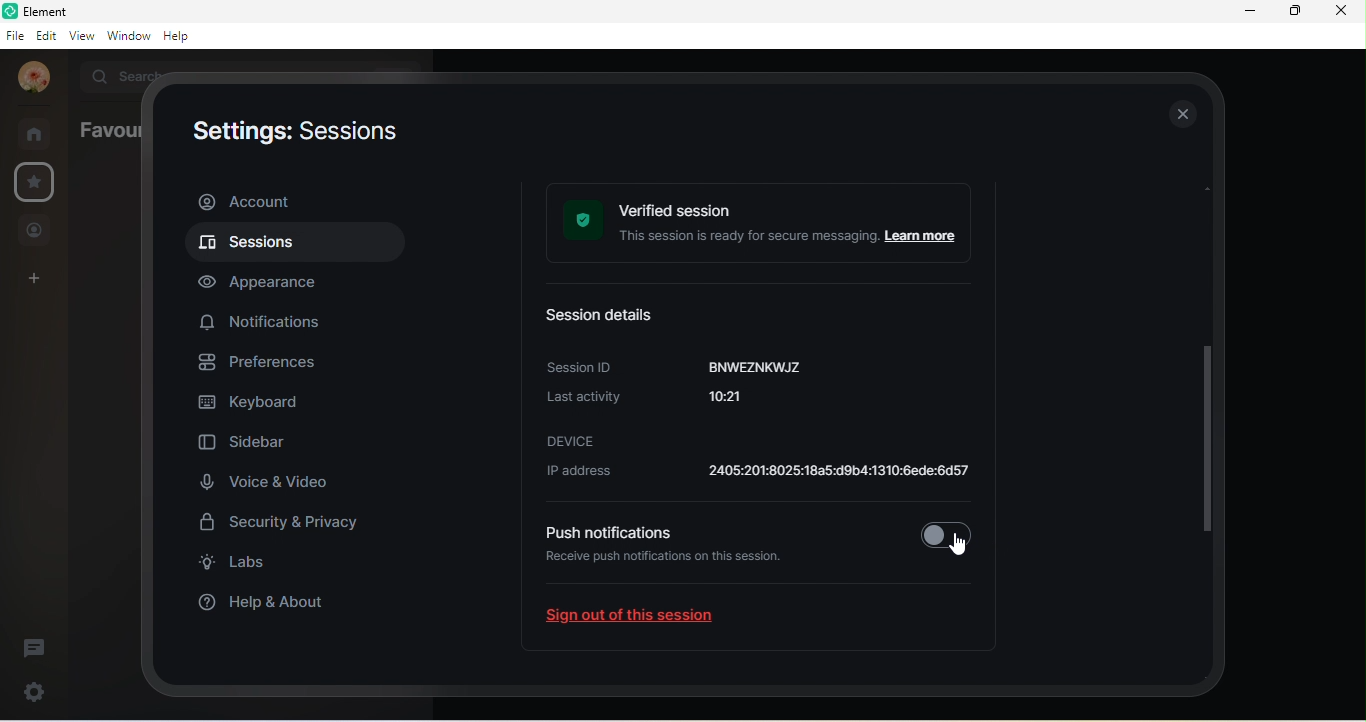 The width and height of the screenshot is (1366, 722). What do you see at coordinates (1213, 384) in the screenshot?
I see `vertical scroll bar` at bounding box center [1213, 384].